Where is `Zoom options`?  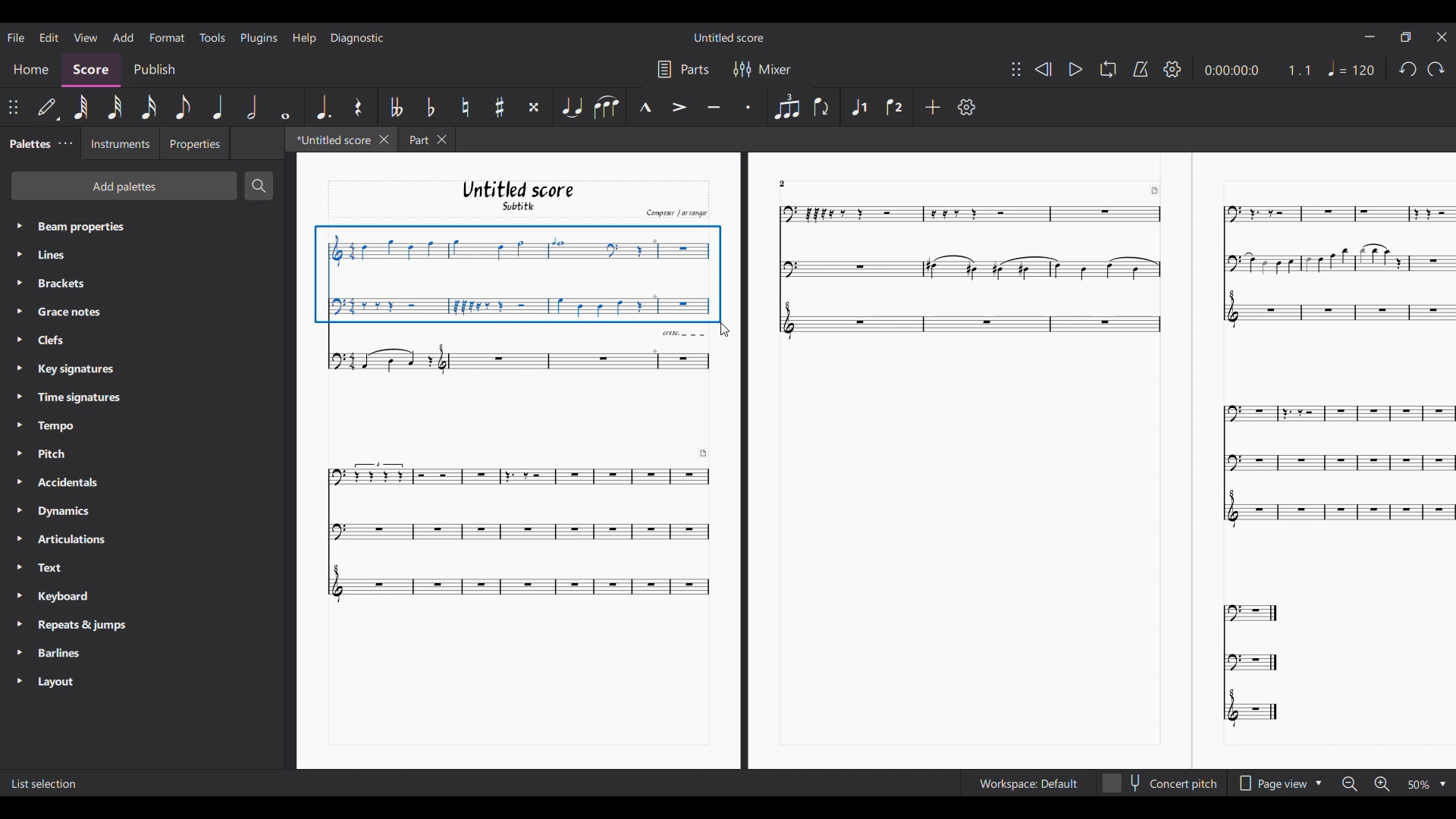 Zoom options is located at coordinates (1418, 785).